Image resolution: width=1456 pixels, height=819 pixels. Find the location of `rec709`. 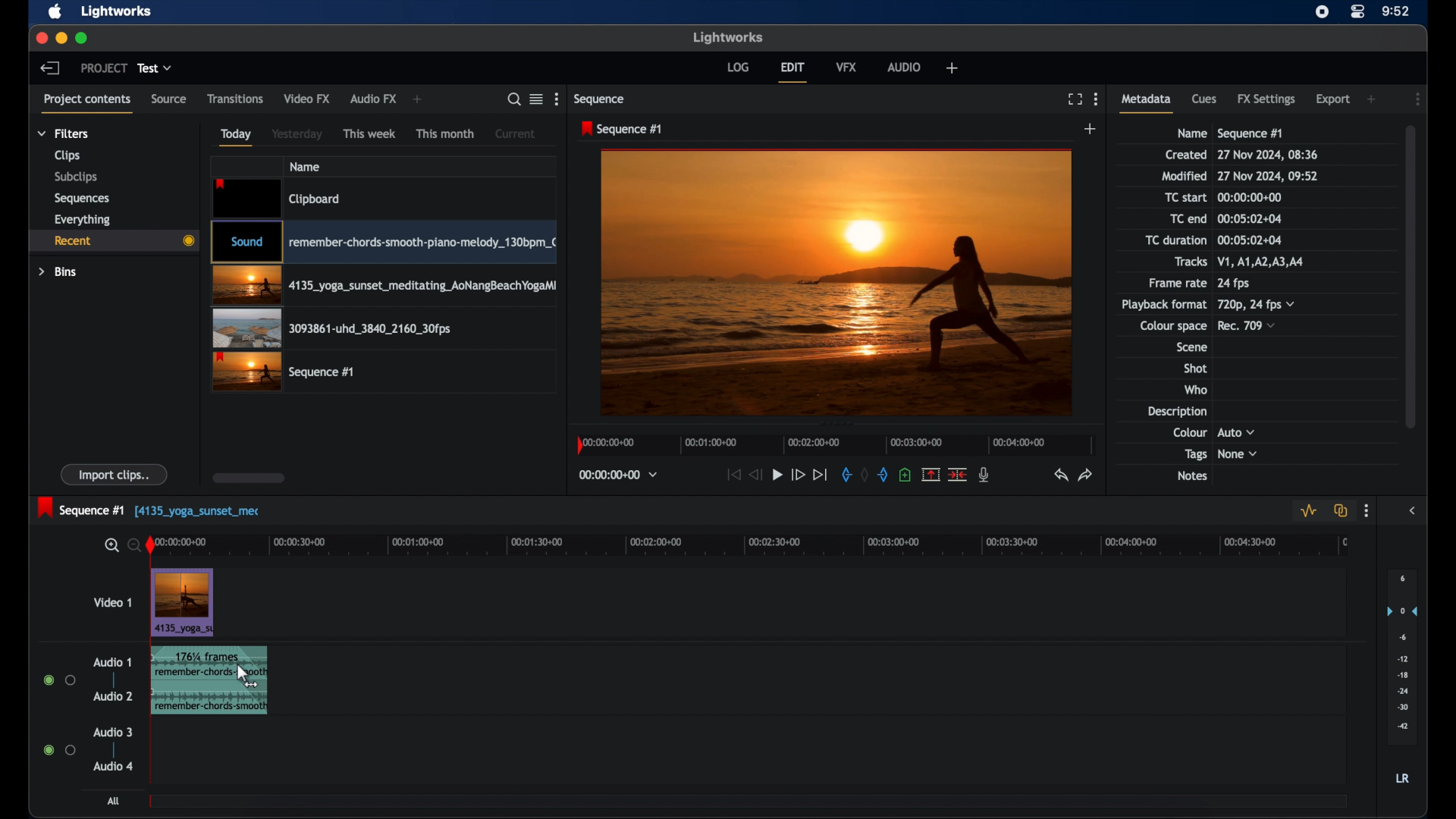

rec709 is located at coordinates (1247, 325).